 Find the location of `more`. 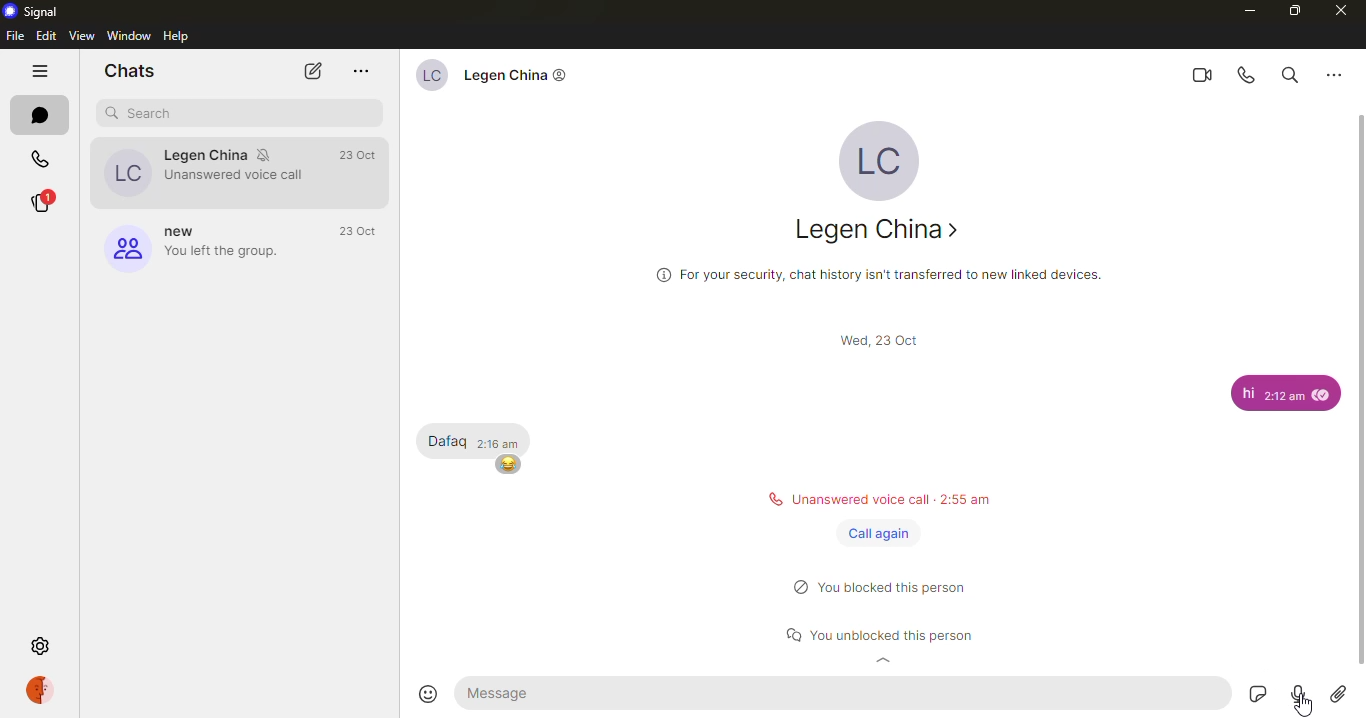

more is located at coordinates (359, 71).